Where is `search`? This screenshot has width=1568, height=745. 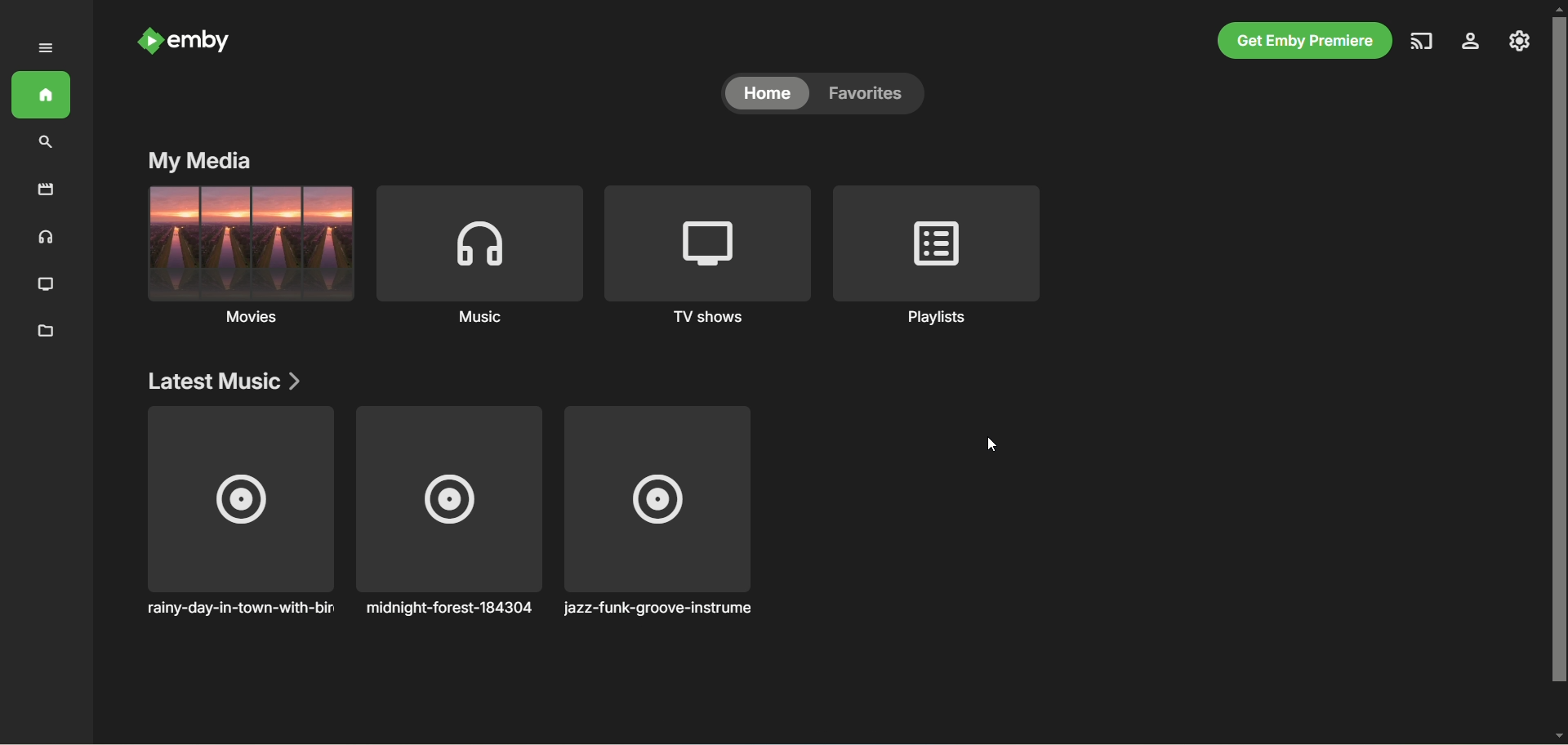
search is located at coordinates (47, 144).